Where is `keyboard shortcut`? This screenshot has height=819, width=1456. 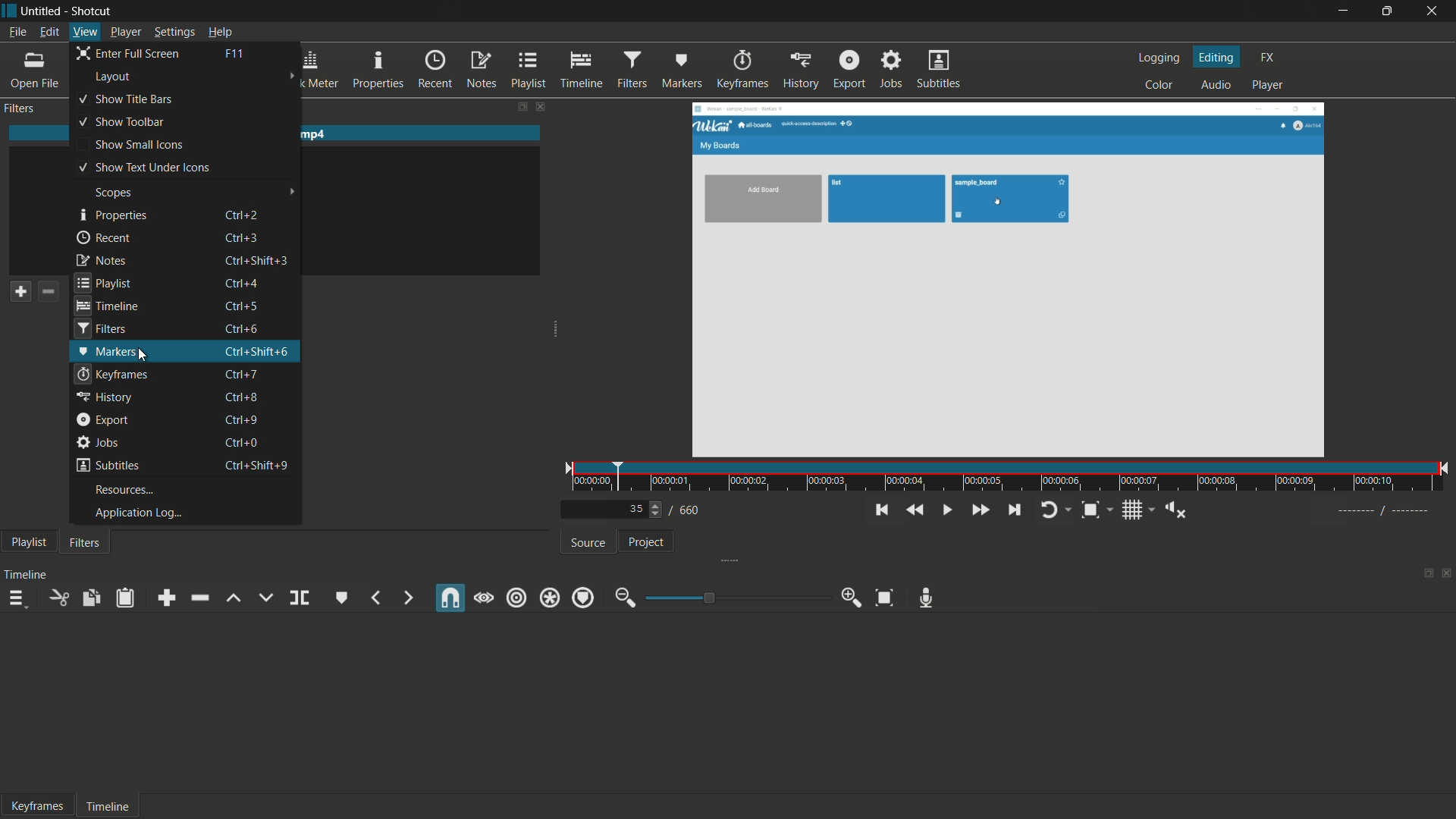 keyboard shortcut is located at coordinates (245, 238).